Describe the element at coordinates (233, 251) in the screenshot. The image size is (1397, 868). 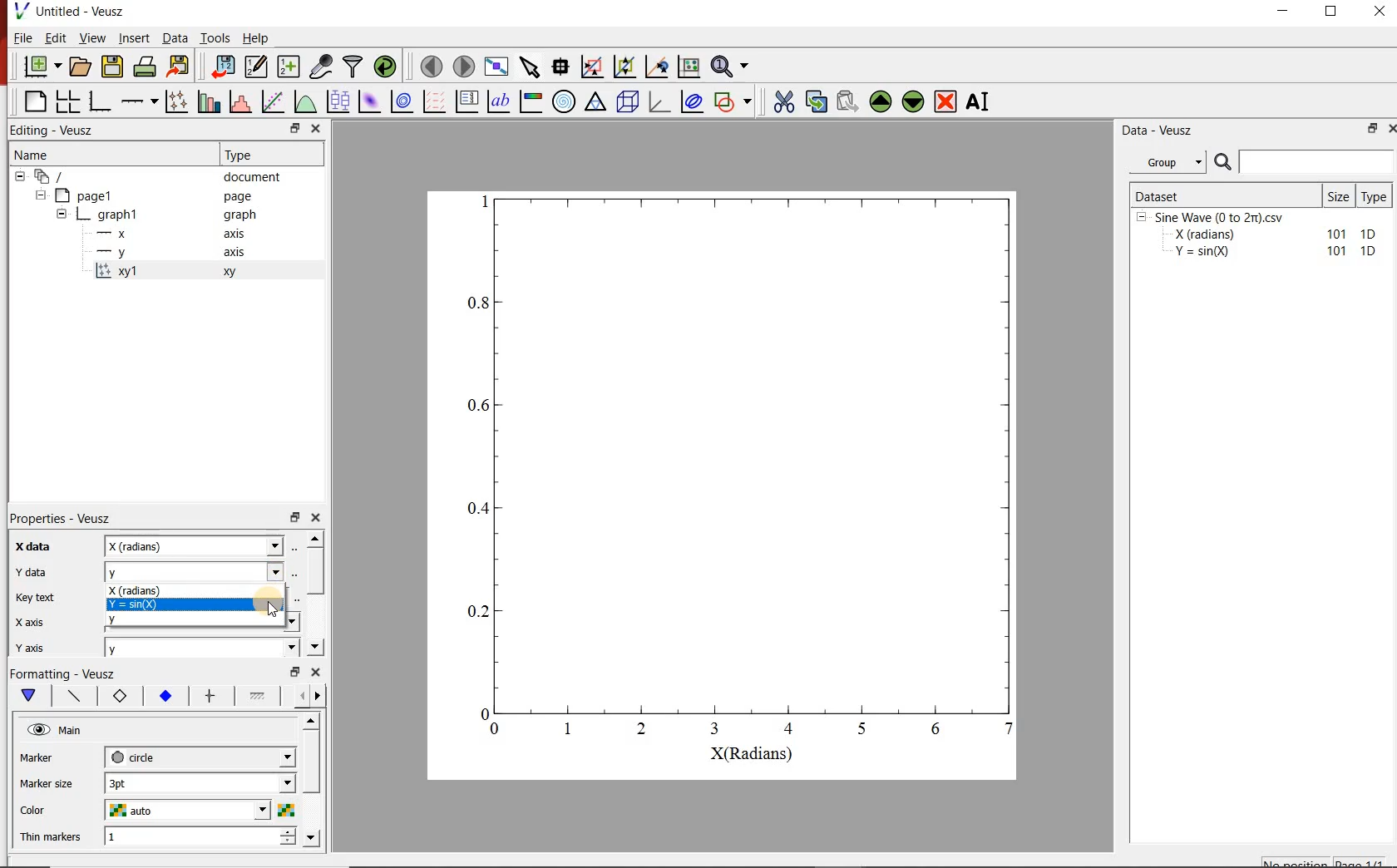
I see `axis` at that location.